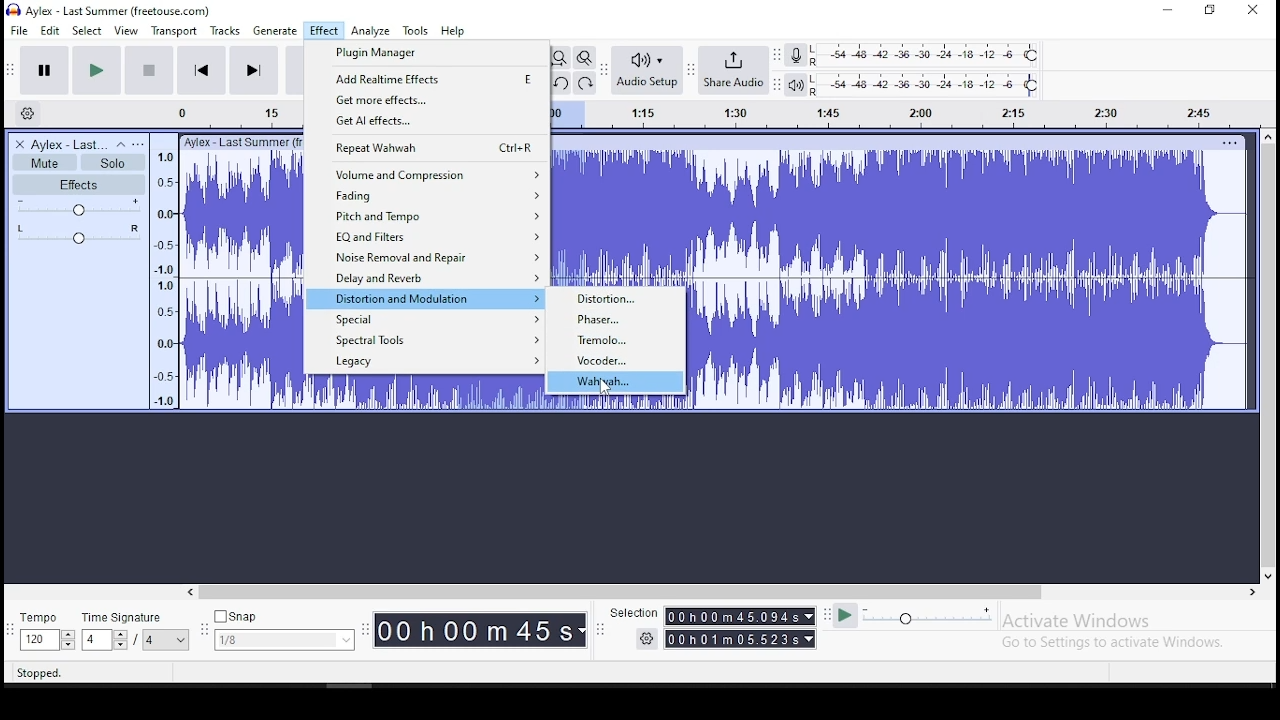  Describe the element at coordinates (19, 144) in the screenshot. I see `delete track` at that location.